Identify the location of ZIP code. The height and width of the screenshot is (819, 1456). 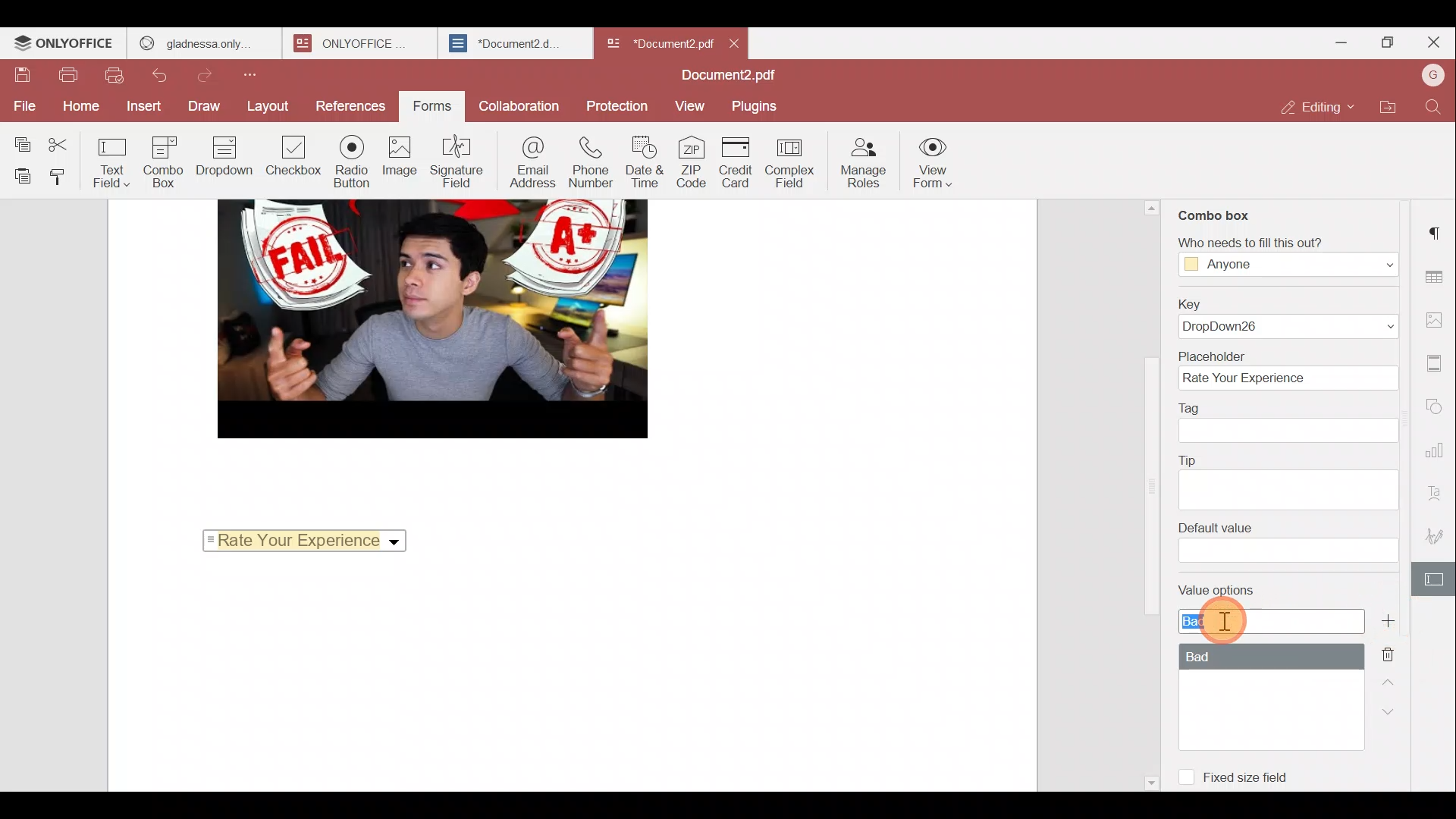
(692, 164).